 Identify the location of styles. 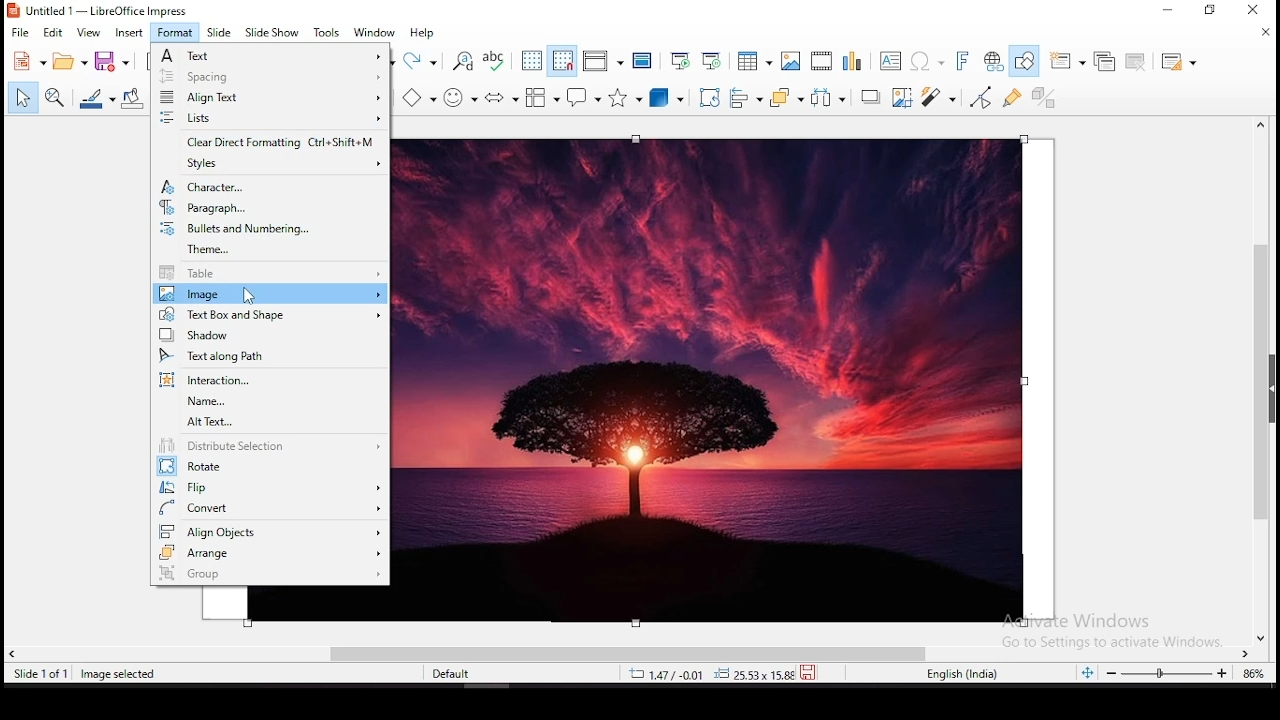
(272, 164).